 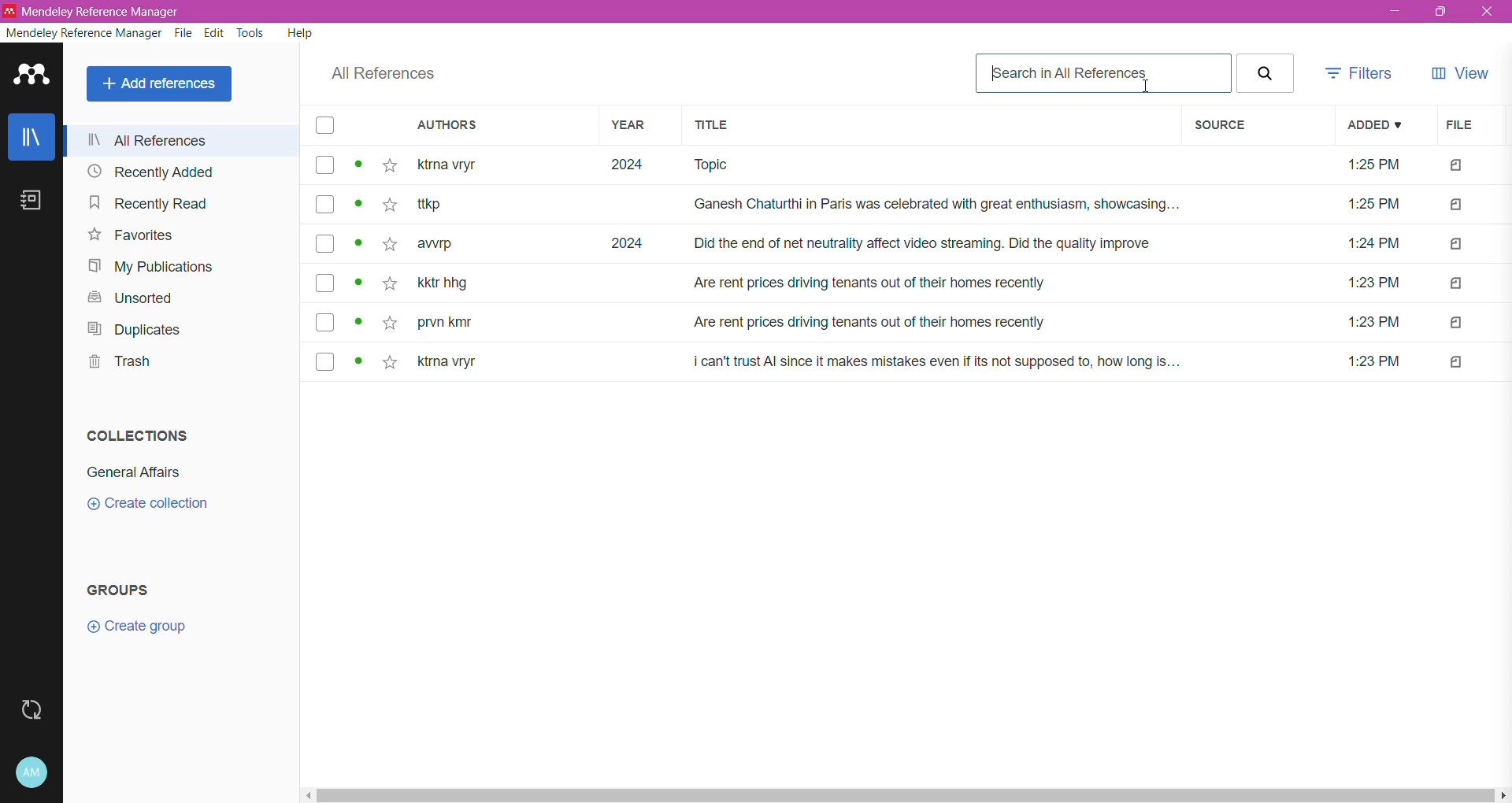 What do you see at coordinates (1488, 13) in the screenshot?
I see `Close` at bounding box center [1488, 13].